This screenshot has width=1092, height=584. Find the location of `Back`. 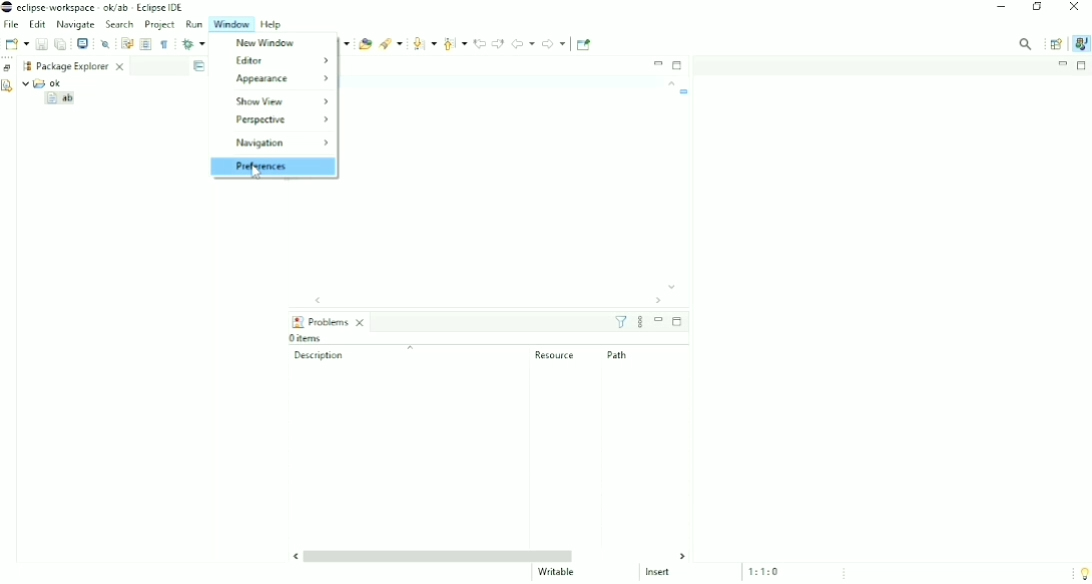

Back is located at coordinates (522, 43).